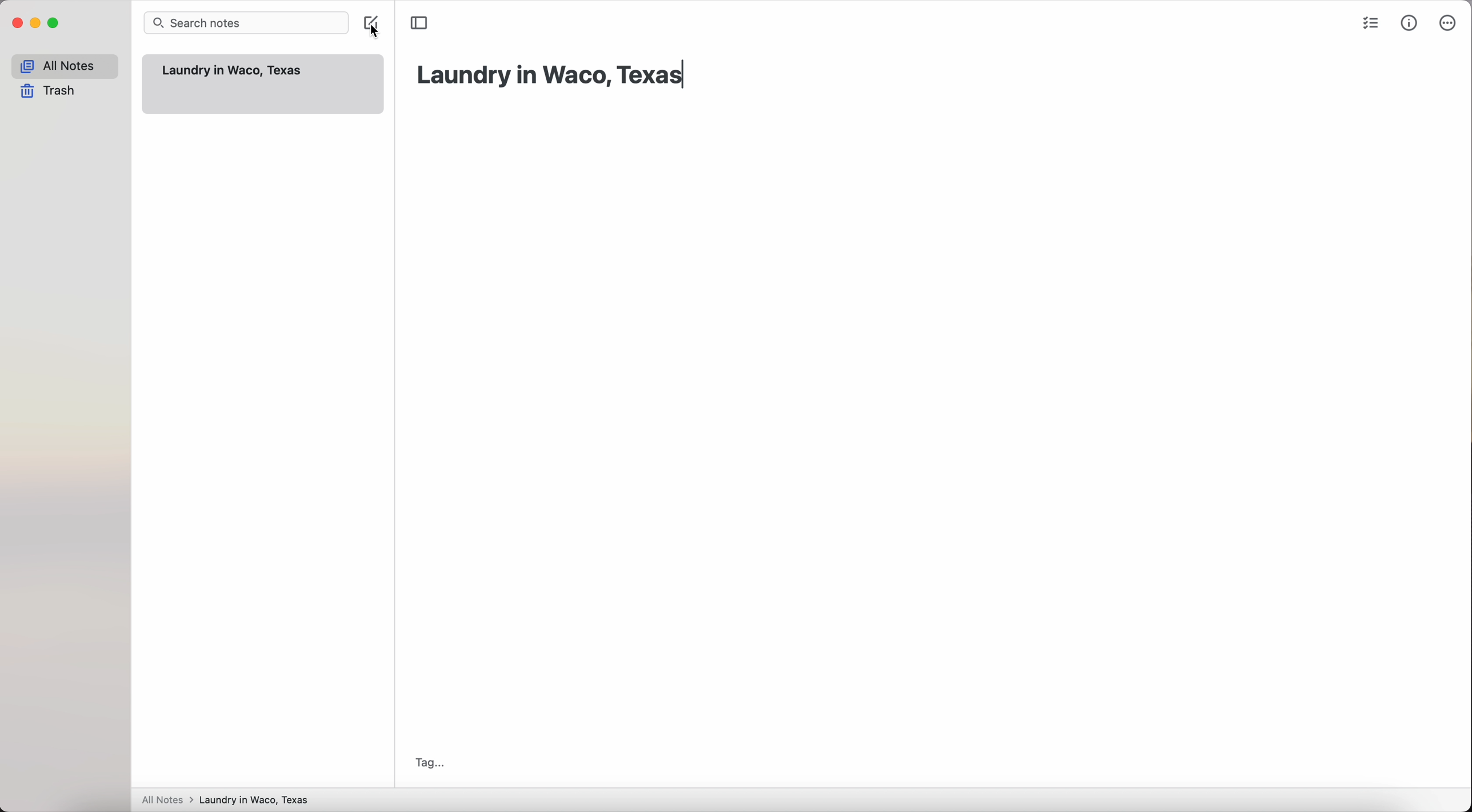 Image resolution: width=1472 pixels, height=812 pixels. Describe the element at coordinates (234, 70) in the screenshot. I see `Laundry in Waco, Texas` at that location.